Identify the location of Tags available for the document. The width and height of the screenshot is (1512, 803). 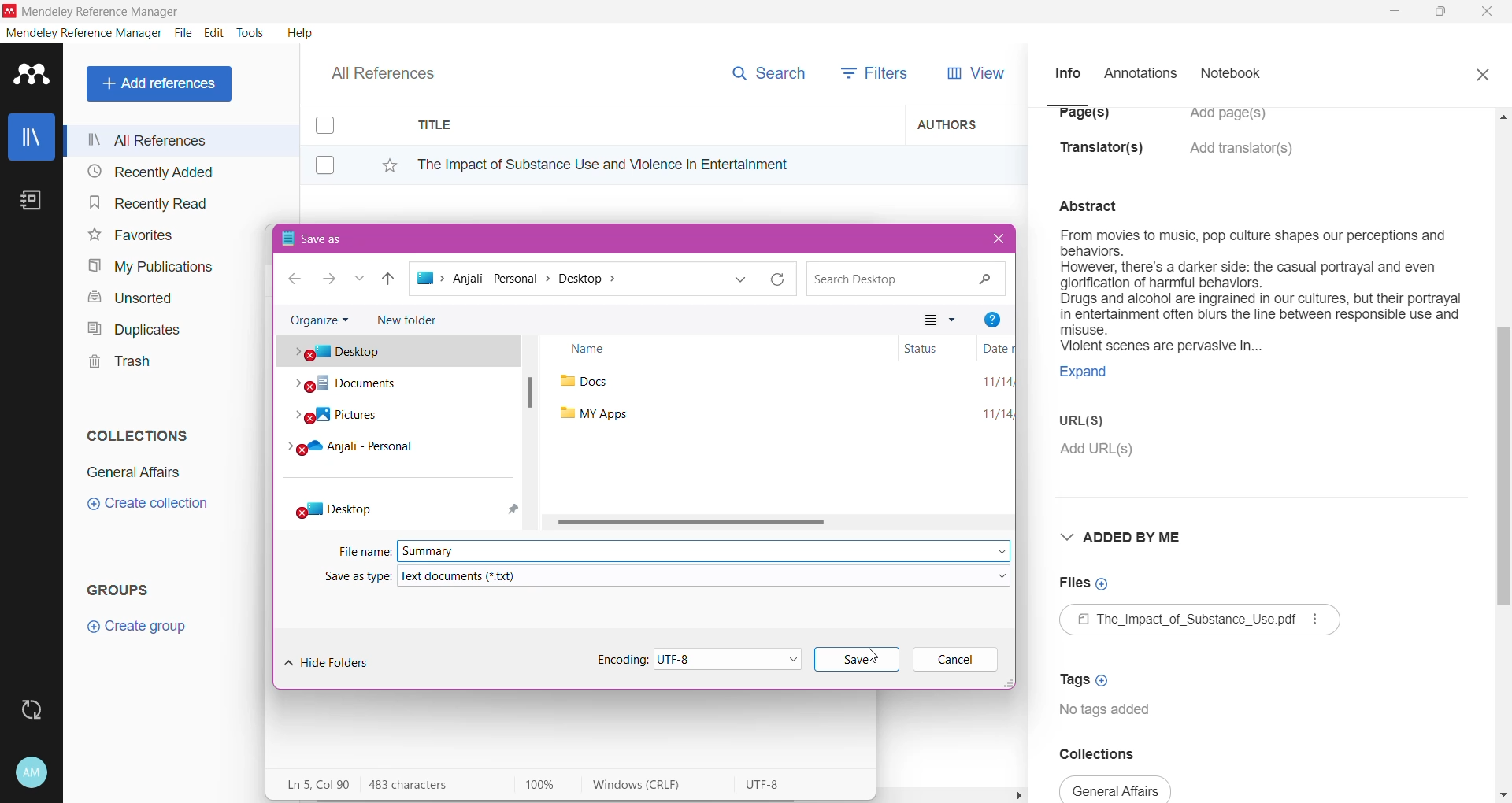
(1109, 712).